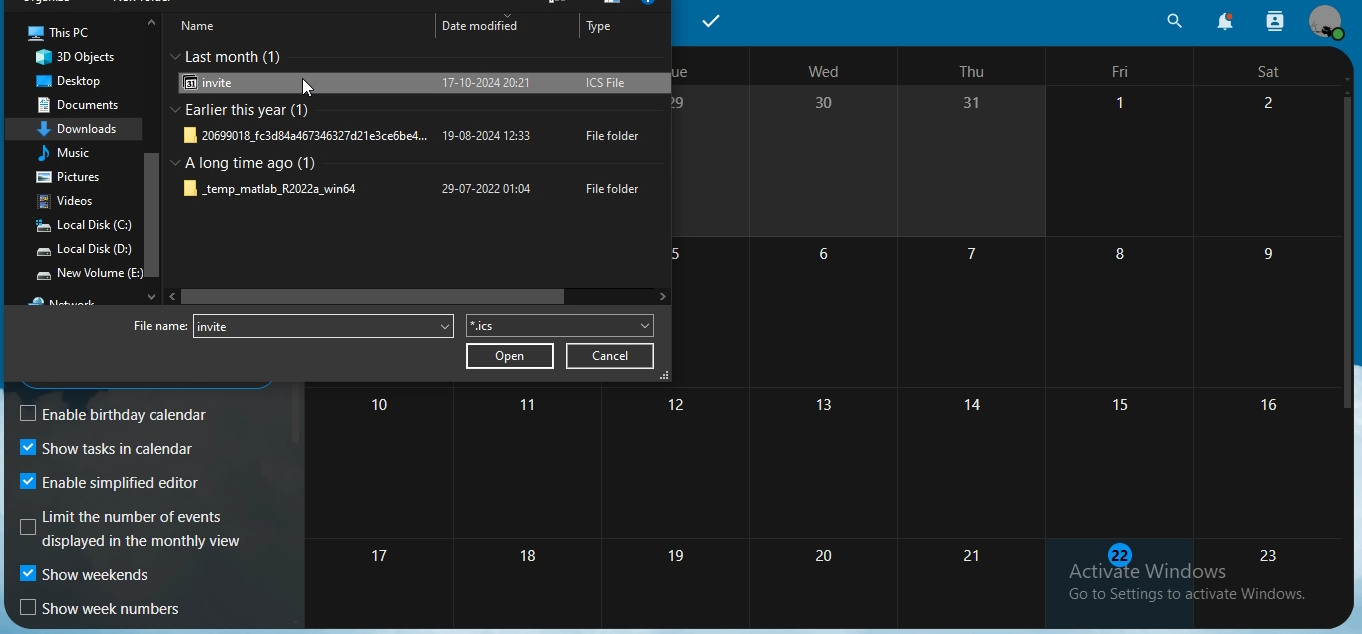  I want to click on documents, so click(88, 105).